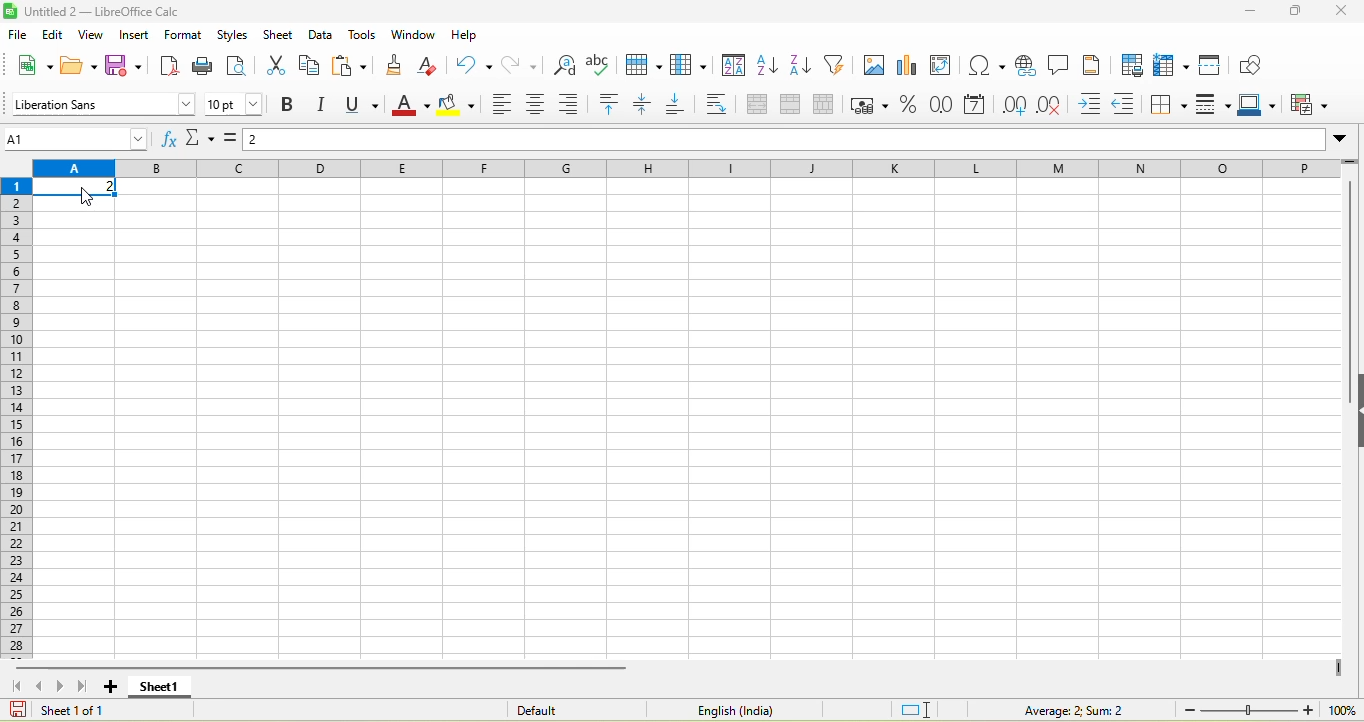 This screenshot has height=722, width=1364. I want to click on redo, so click(525, 64).